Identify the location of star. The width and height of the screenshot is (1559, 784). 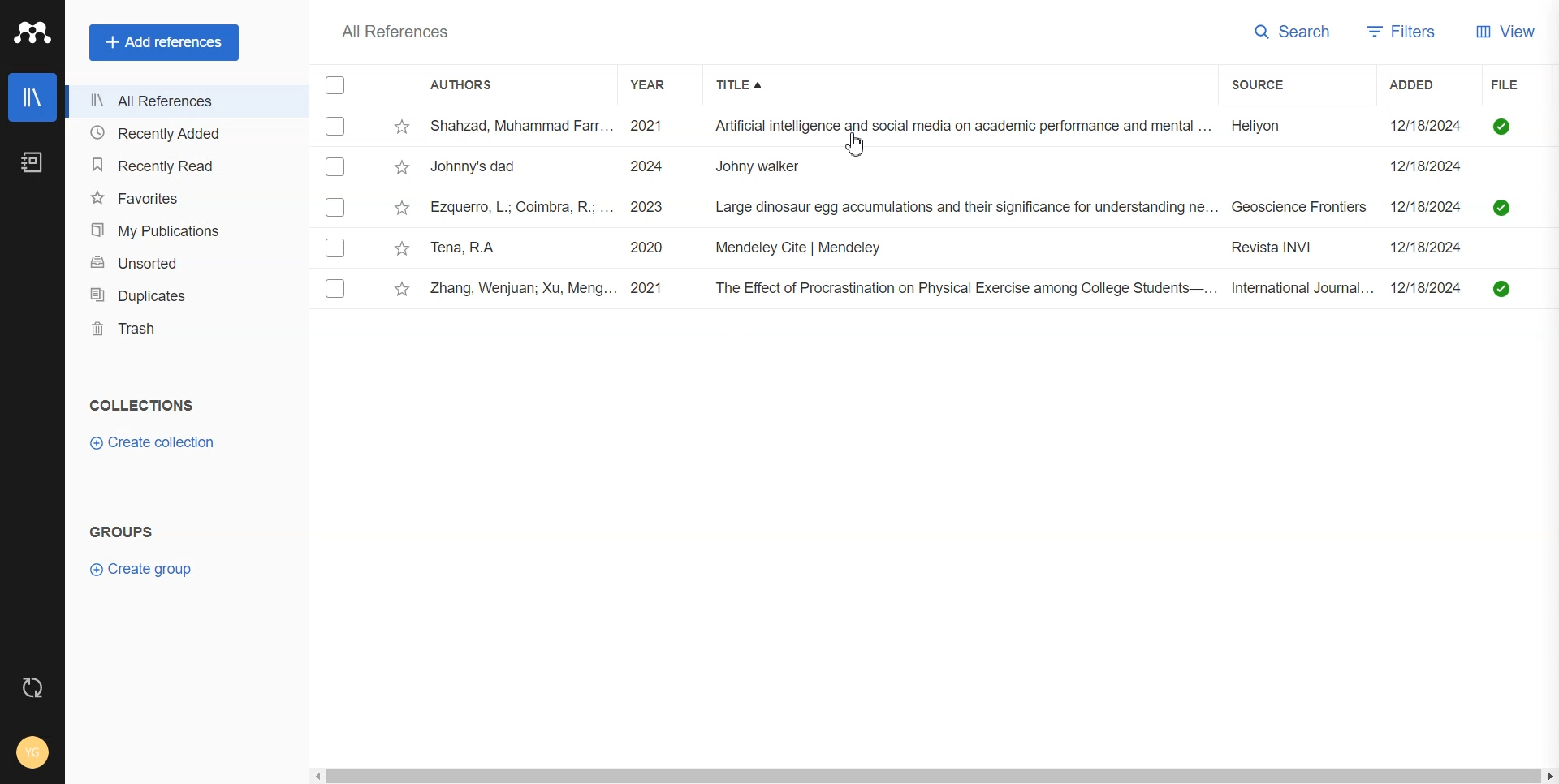
(403, 248).